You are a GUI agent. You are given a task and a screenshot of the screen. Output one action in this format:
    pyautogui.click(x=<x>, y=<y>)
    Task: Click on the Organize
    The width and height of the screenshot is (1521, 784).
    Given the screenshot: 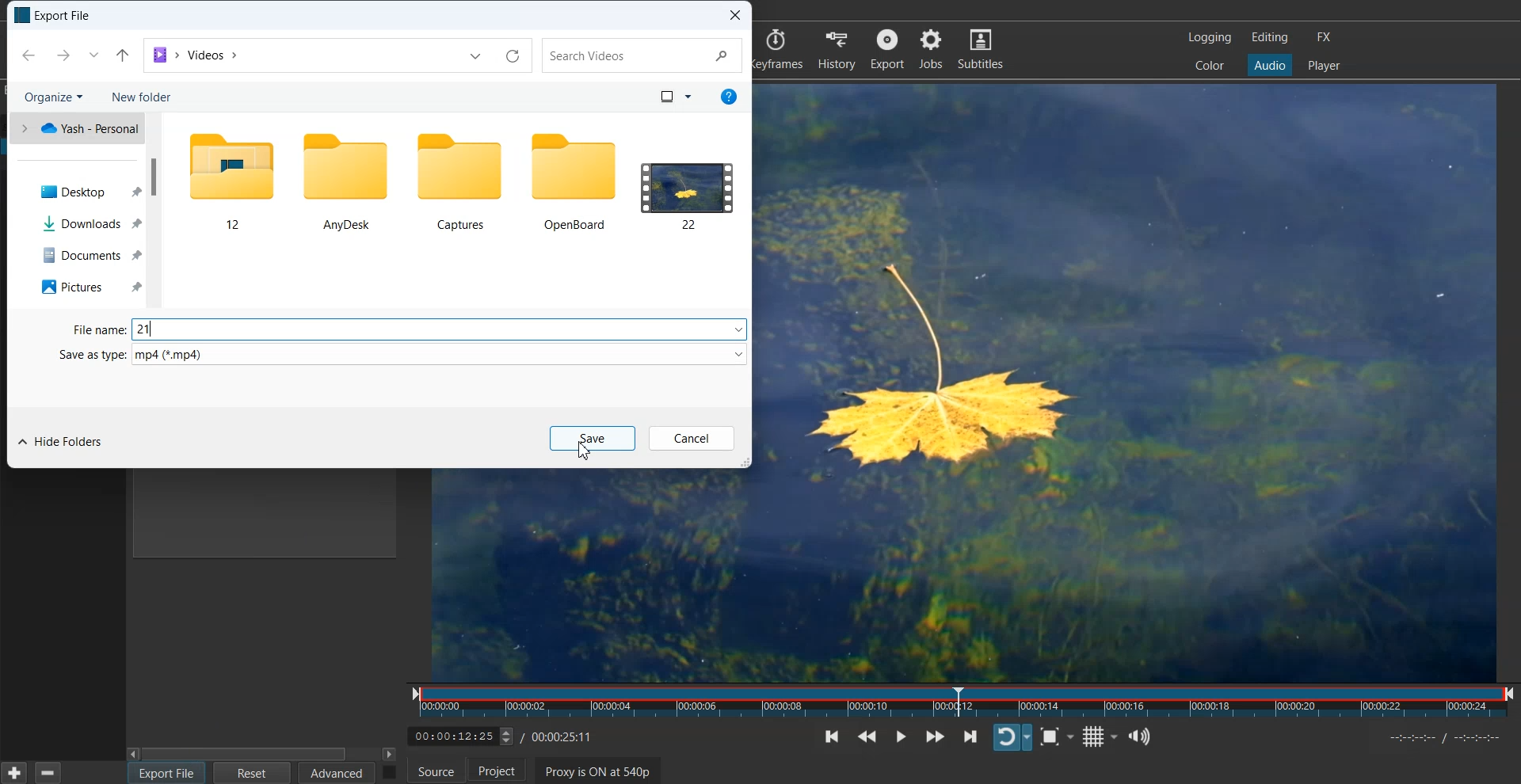 What is the action you would take?
    pyautogui.click(x=59, y=96)
    